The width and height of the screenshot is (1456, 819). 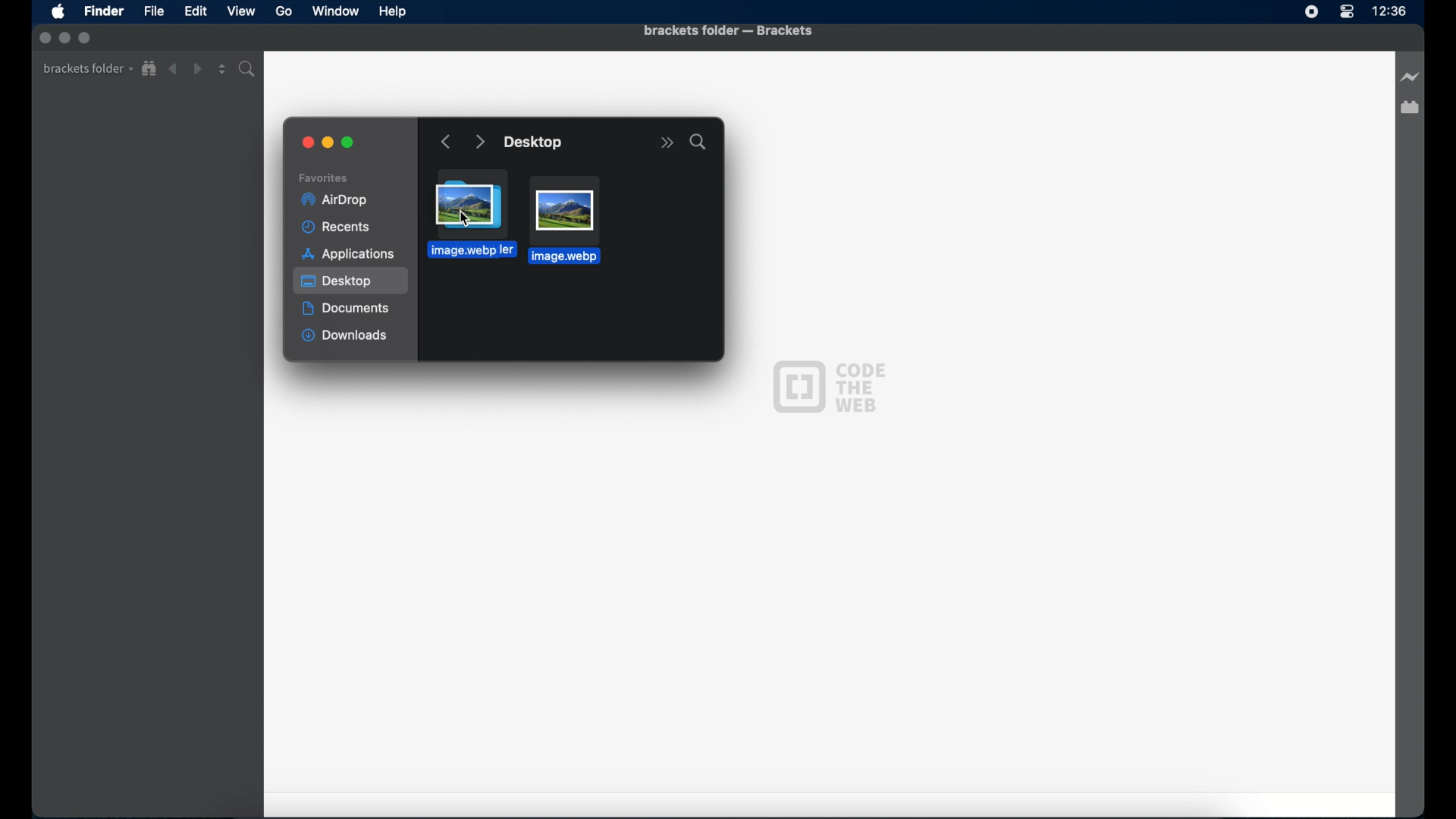 I want to click on extension manager, so click(x=1410, y=108).